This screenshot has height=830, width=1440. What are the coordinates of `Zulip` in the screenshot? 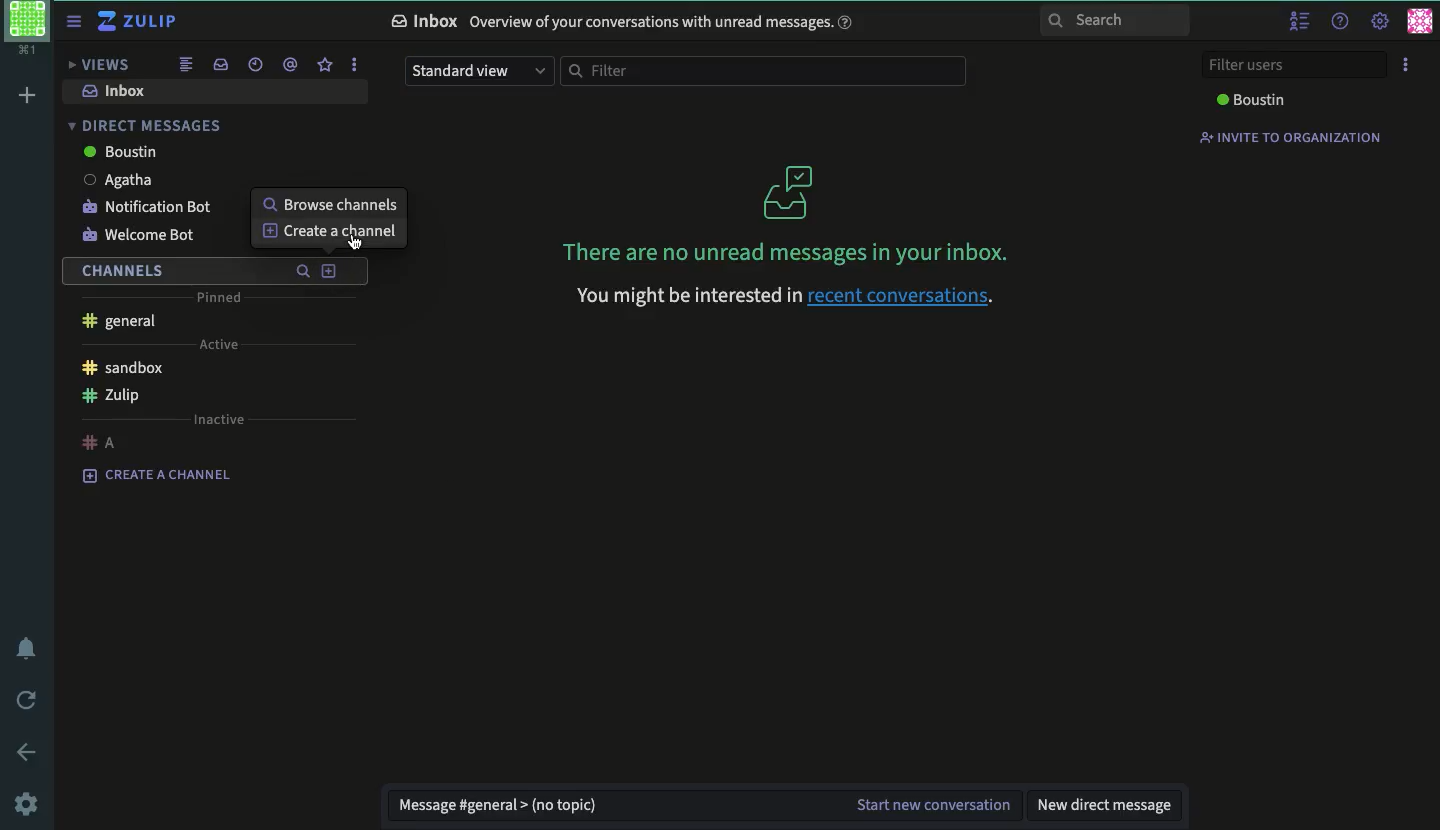 It's located at (114, 397).